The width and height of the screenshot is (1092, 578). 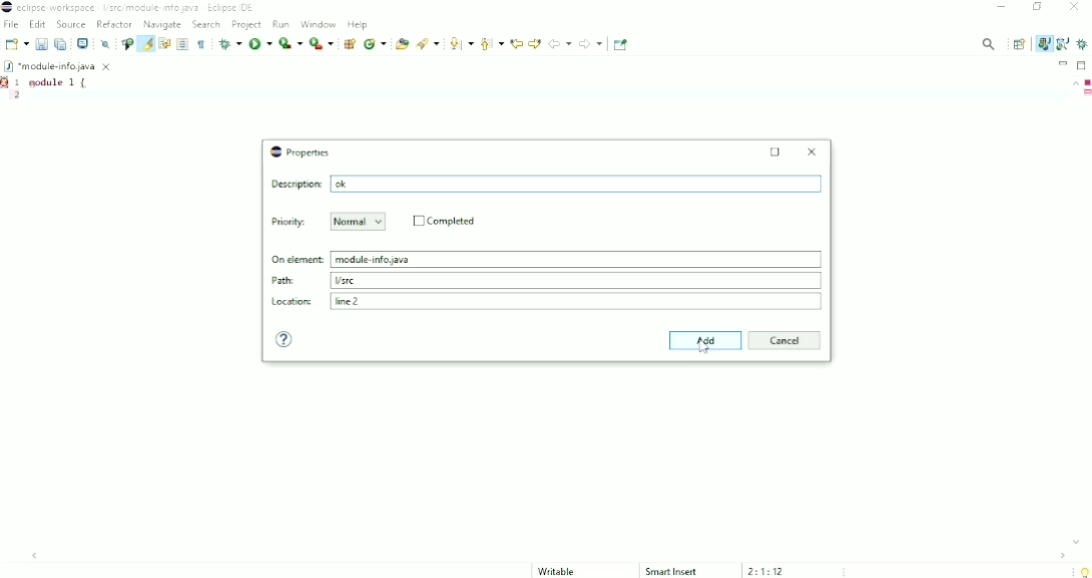 What do you see at coordinates (1063, 44) in the screenshot?
I see `Java Browsing` at bounding box center [1063, 44].